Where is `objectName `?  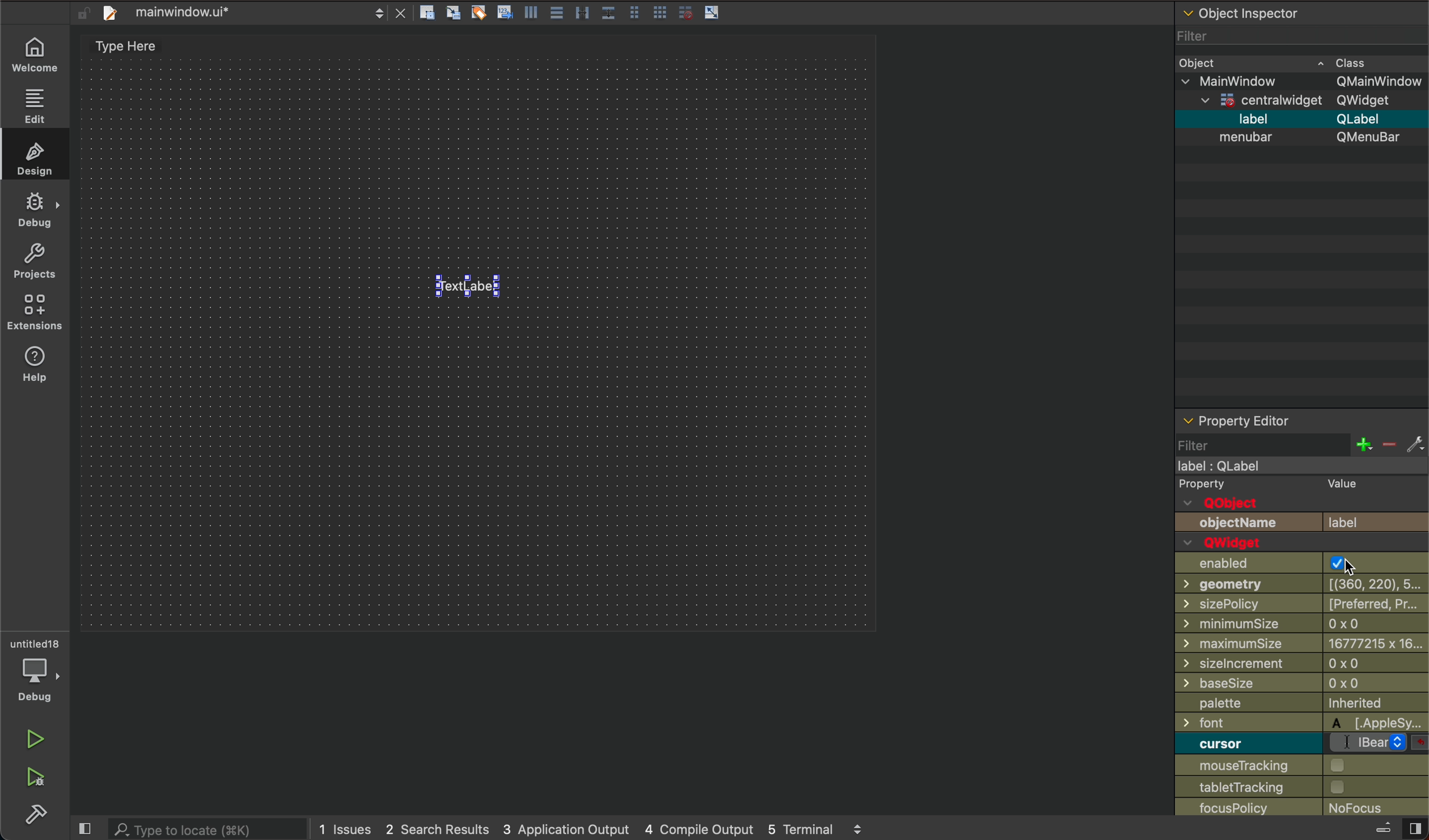 objectName  is located at coordinates (1244, 523).